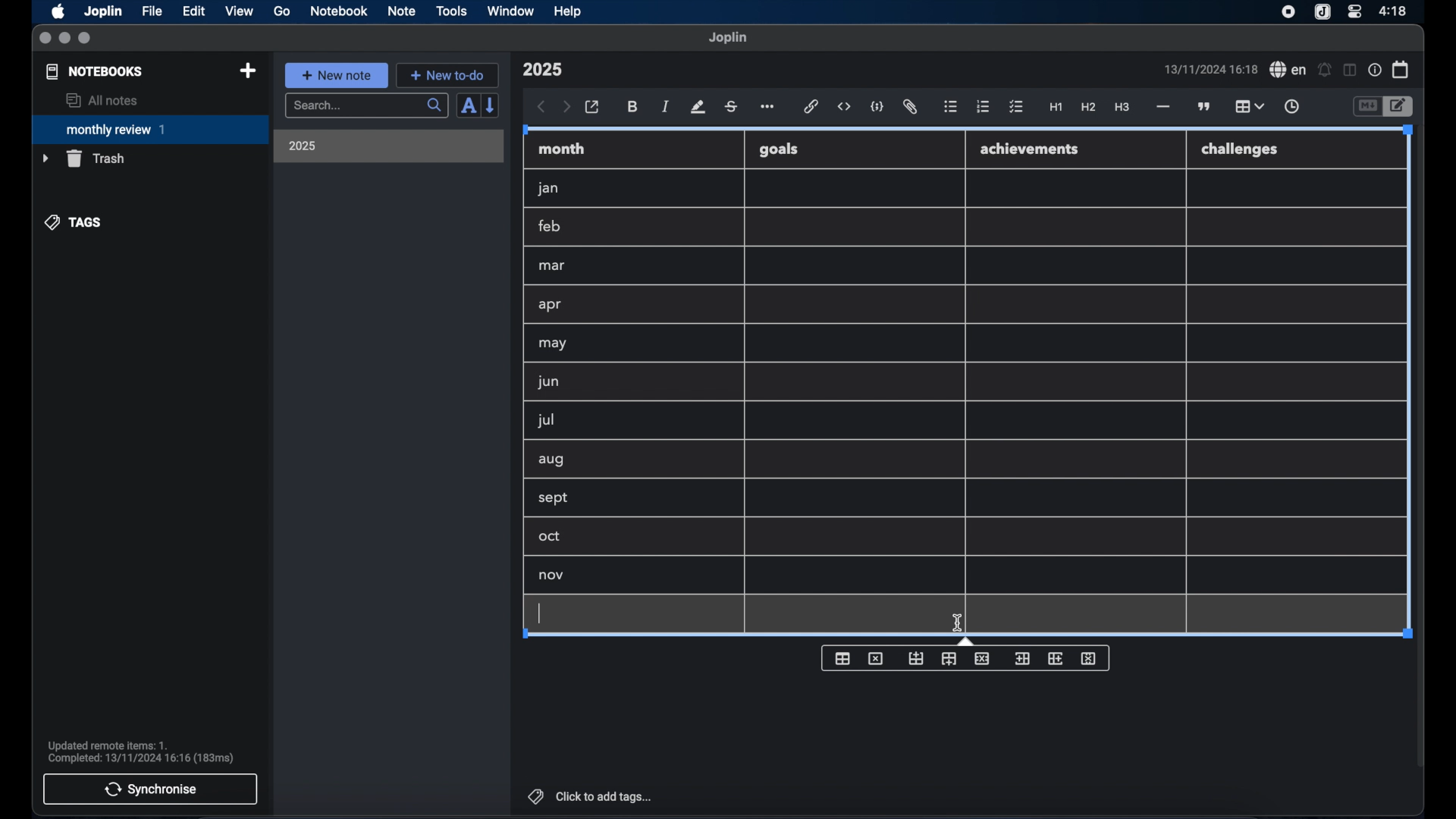  Describe the element at coordinates (1325, 71) in the screenshot. I see `set alarm` at that location.